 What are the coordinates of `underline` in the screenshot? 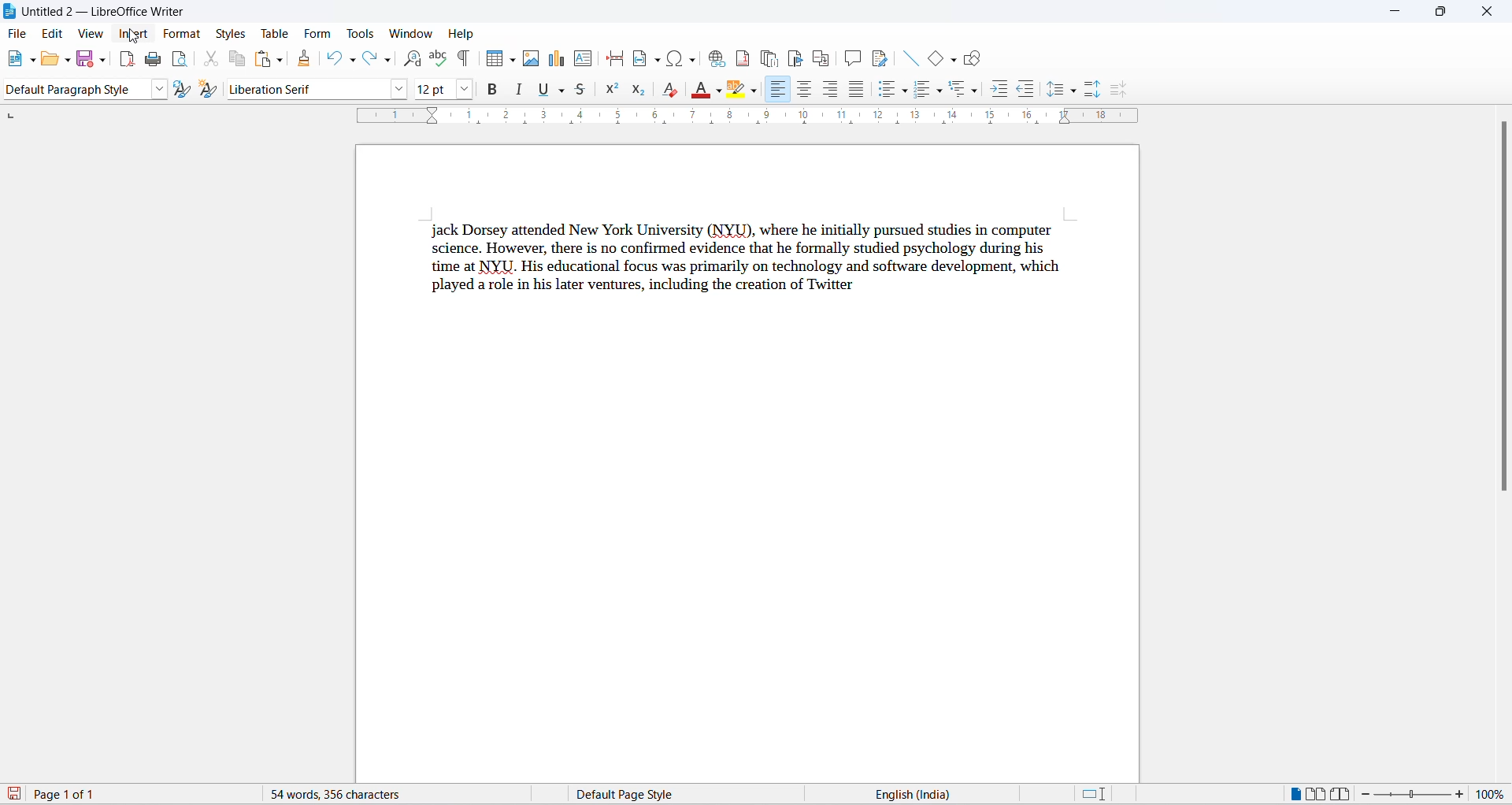 It's located at (542, 89).